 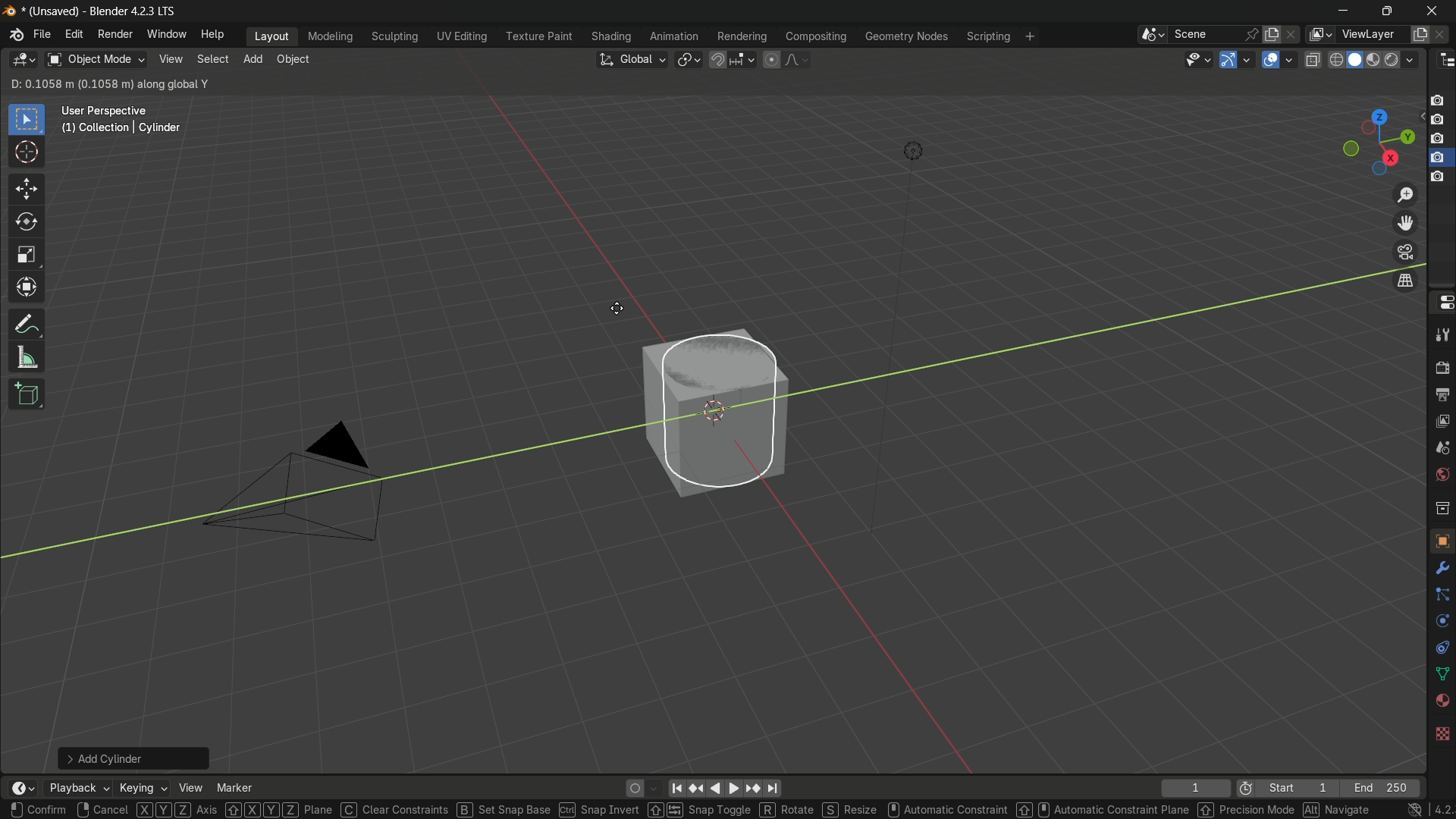 I want to click on jump to keyframe, so click(x=750, y=788).